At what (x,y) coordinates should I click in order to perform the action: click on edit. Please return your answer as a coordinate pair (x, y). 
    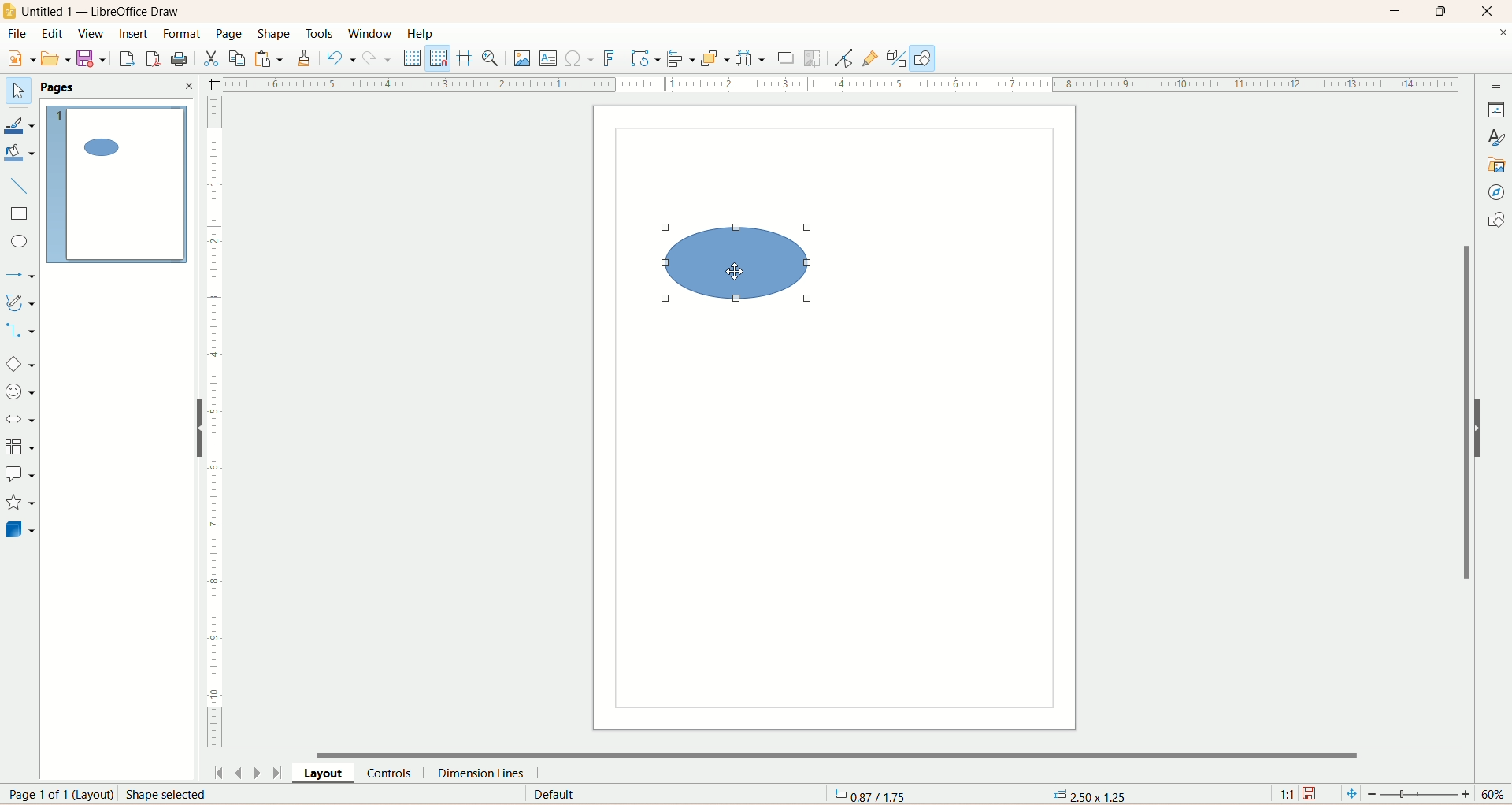
    Looking at the image, I should click on (51, 33).